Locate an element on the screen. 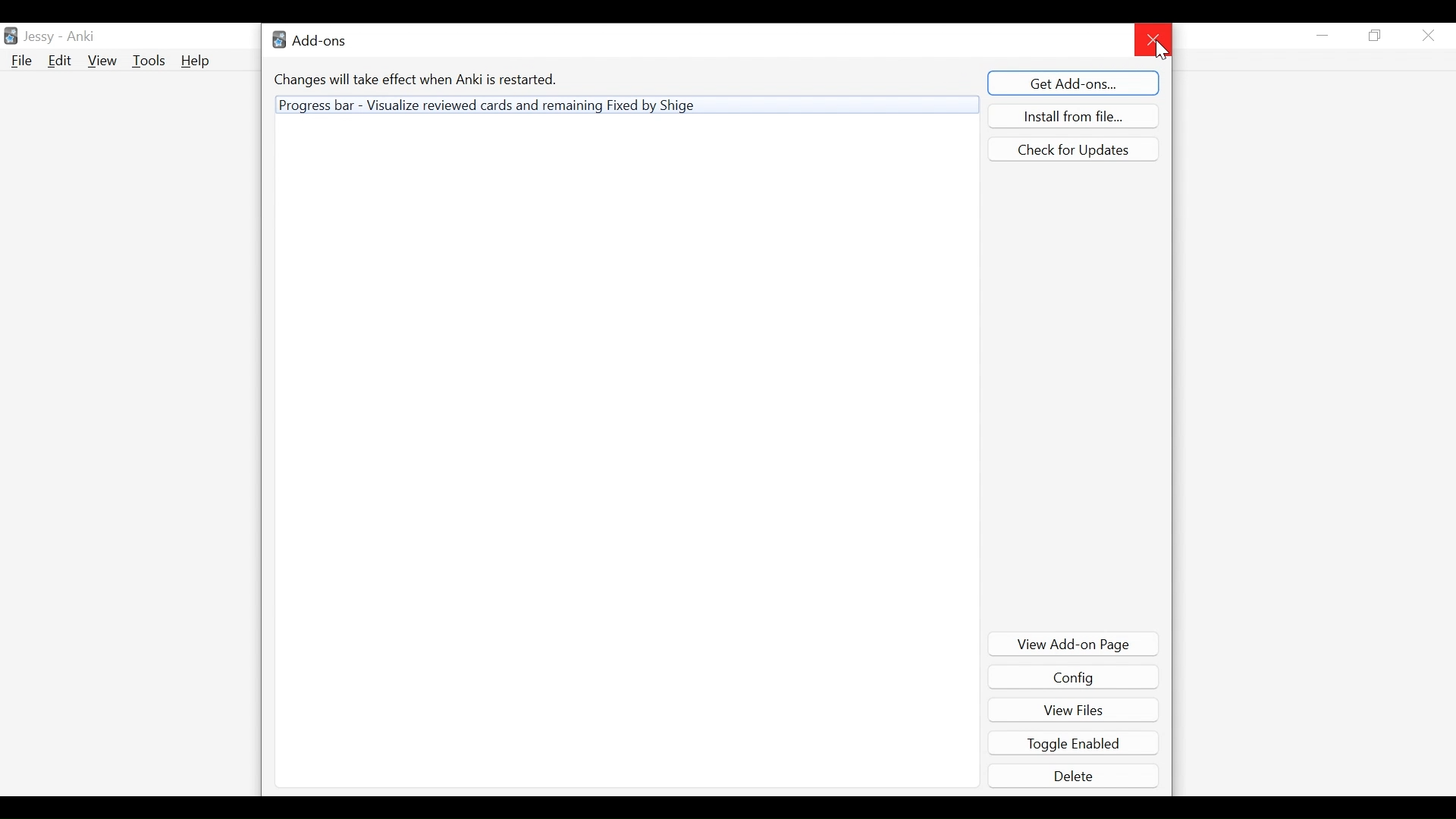  minimize is located at coordinates (1323, 35).